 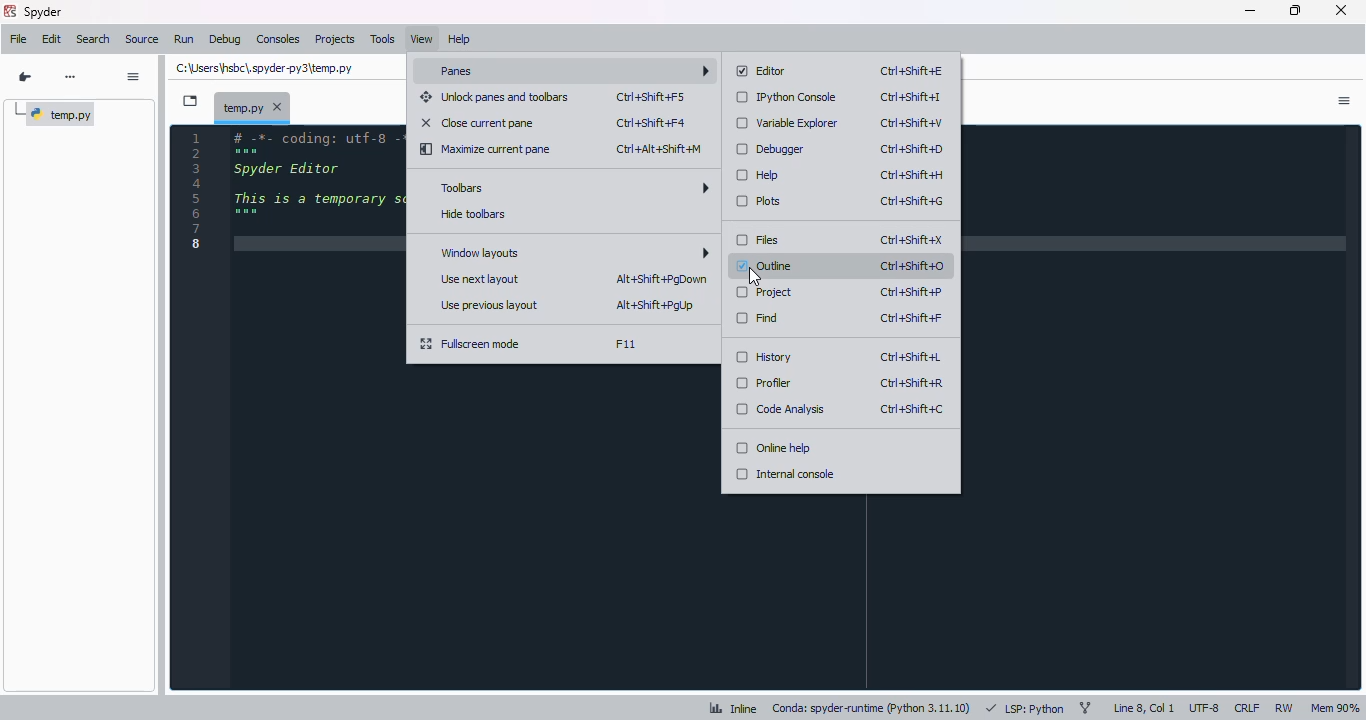 I want to click on shortcut for code analysis, so click(x=912, y=409).